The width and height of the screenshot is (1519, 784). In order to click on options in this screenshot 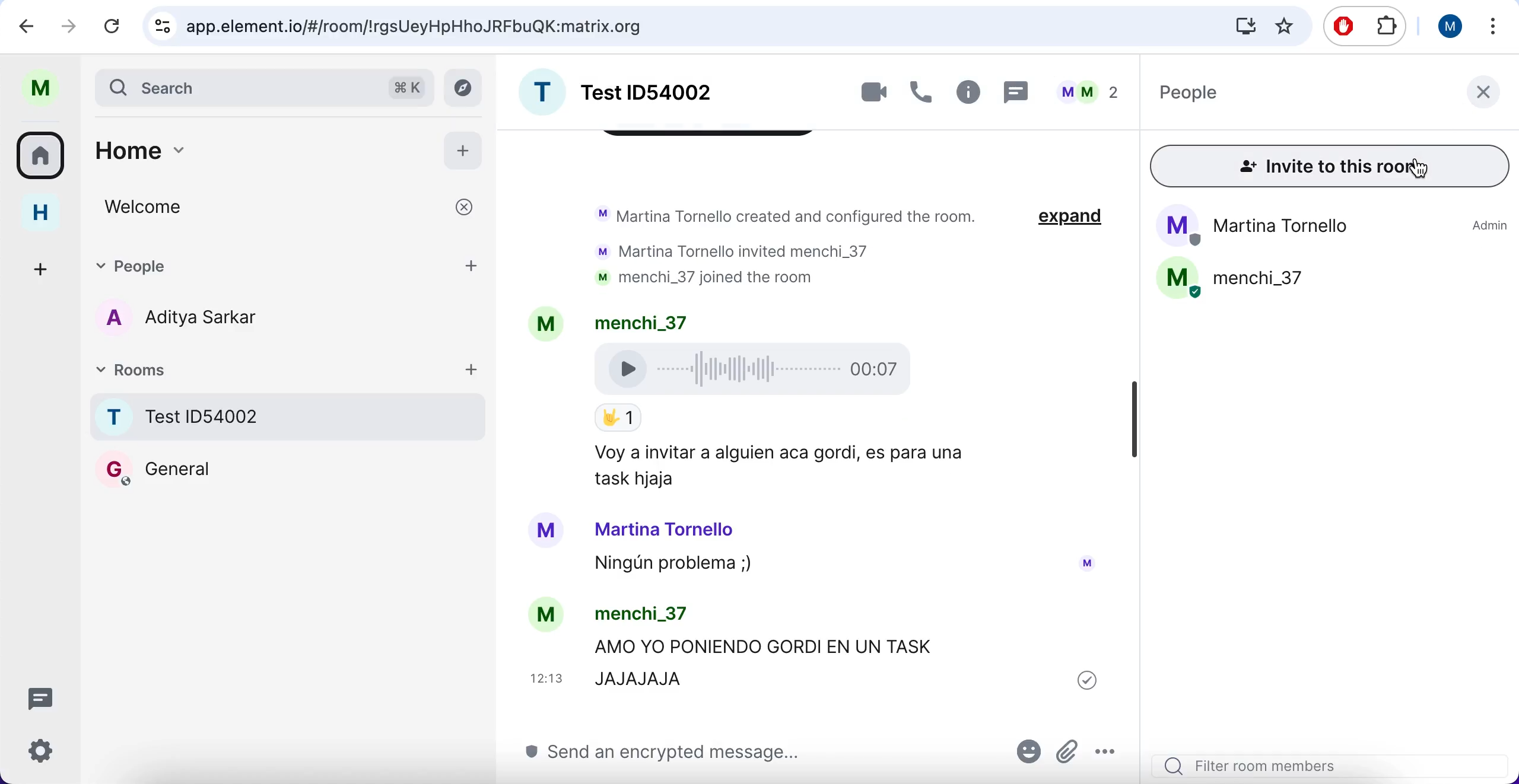, I will do `click(1492, 26)`.